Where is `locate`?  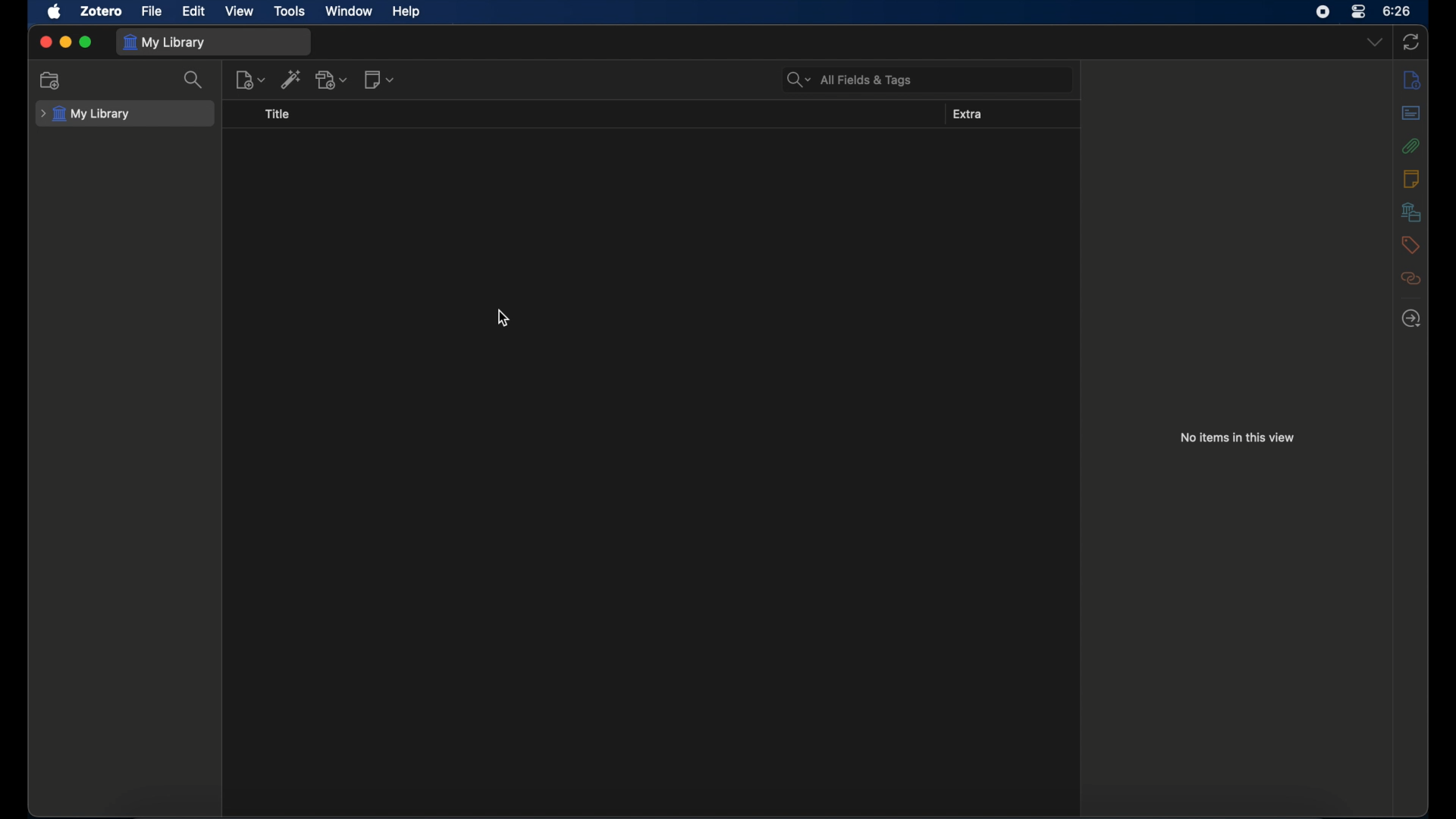 locate is located at coordinates (1411, 318).